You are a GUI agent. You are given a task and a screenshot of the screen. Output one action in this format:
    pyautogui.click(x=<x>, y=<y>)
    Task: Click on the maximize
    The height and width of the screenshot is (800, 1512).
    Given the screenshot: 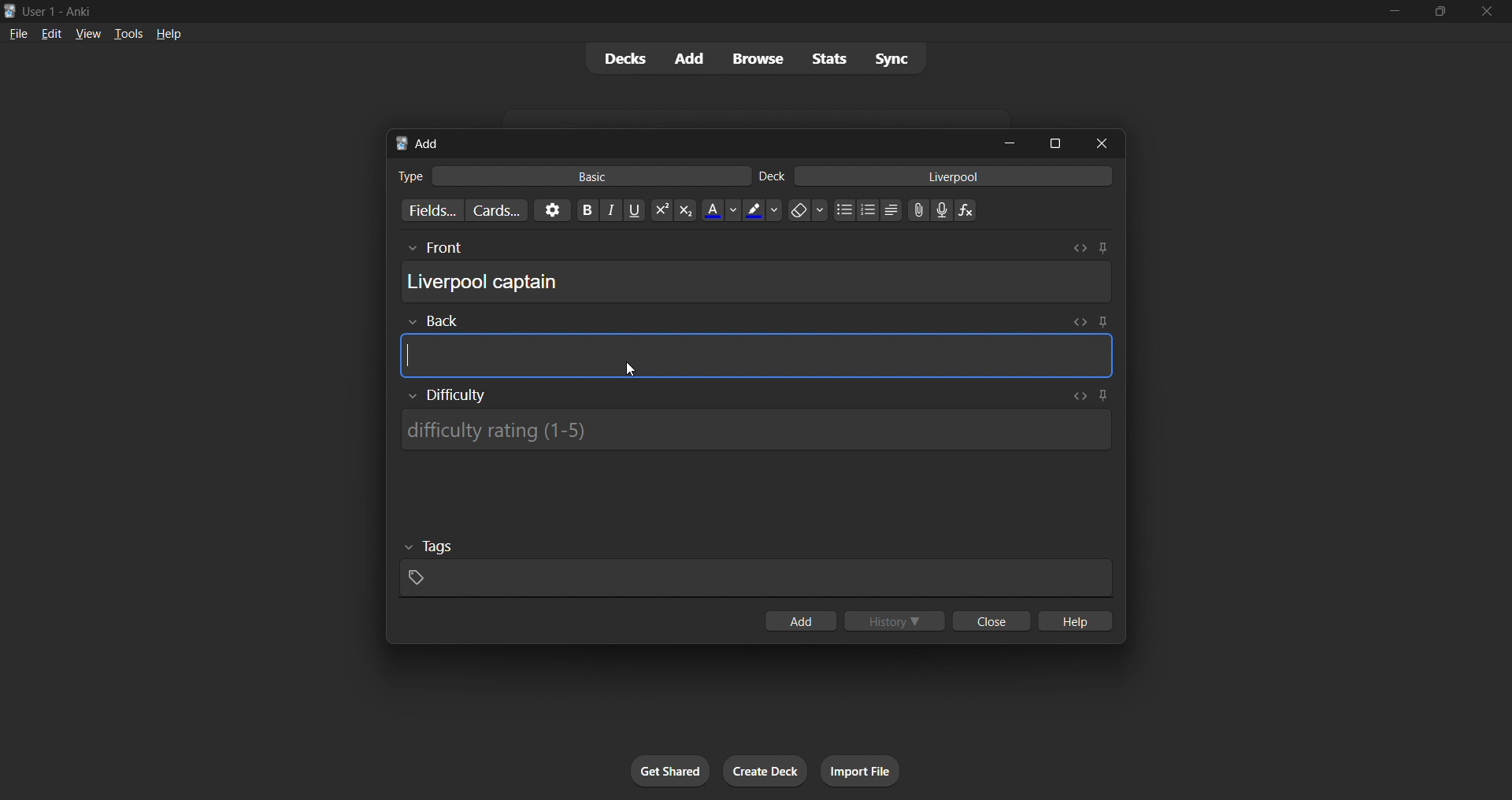 What is the action you would take?
    pyautogui.click(x=1054, y=143)
    